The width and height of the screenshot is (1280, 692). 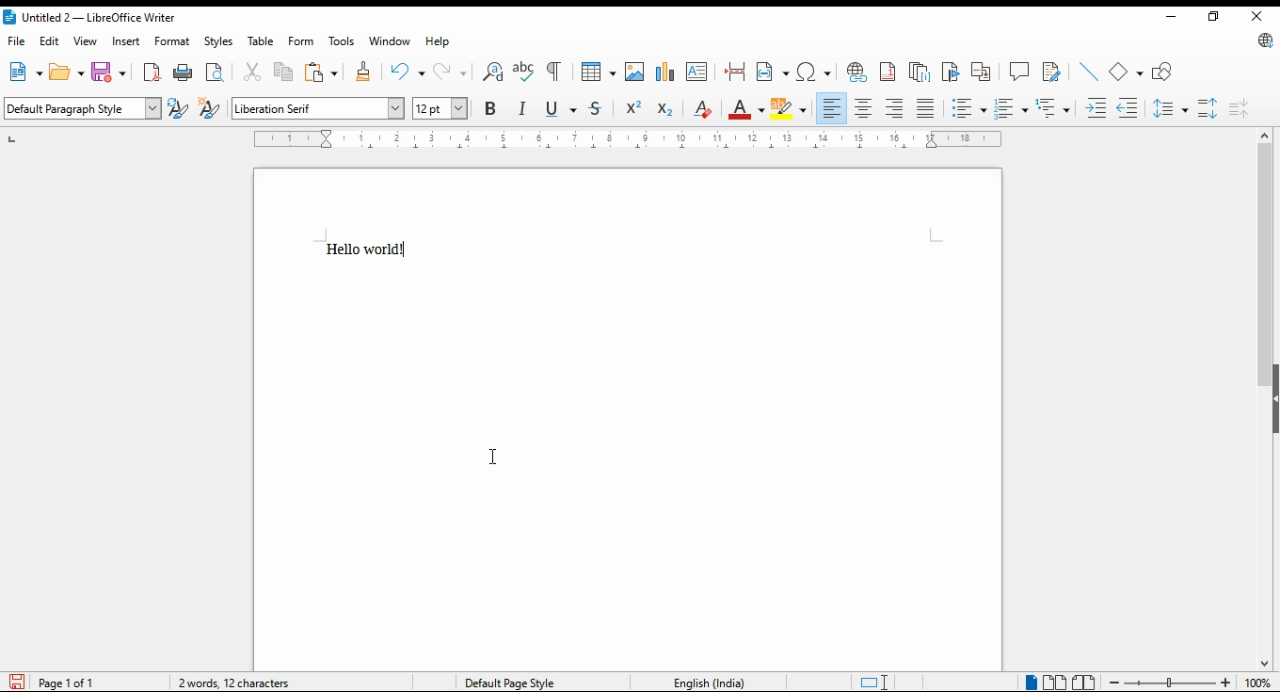 I want to click on form, so click(x=301, y=40).